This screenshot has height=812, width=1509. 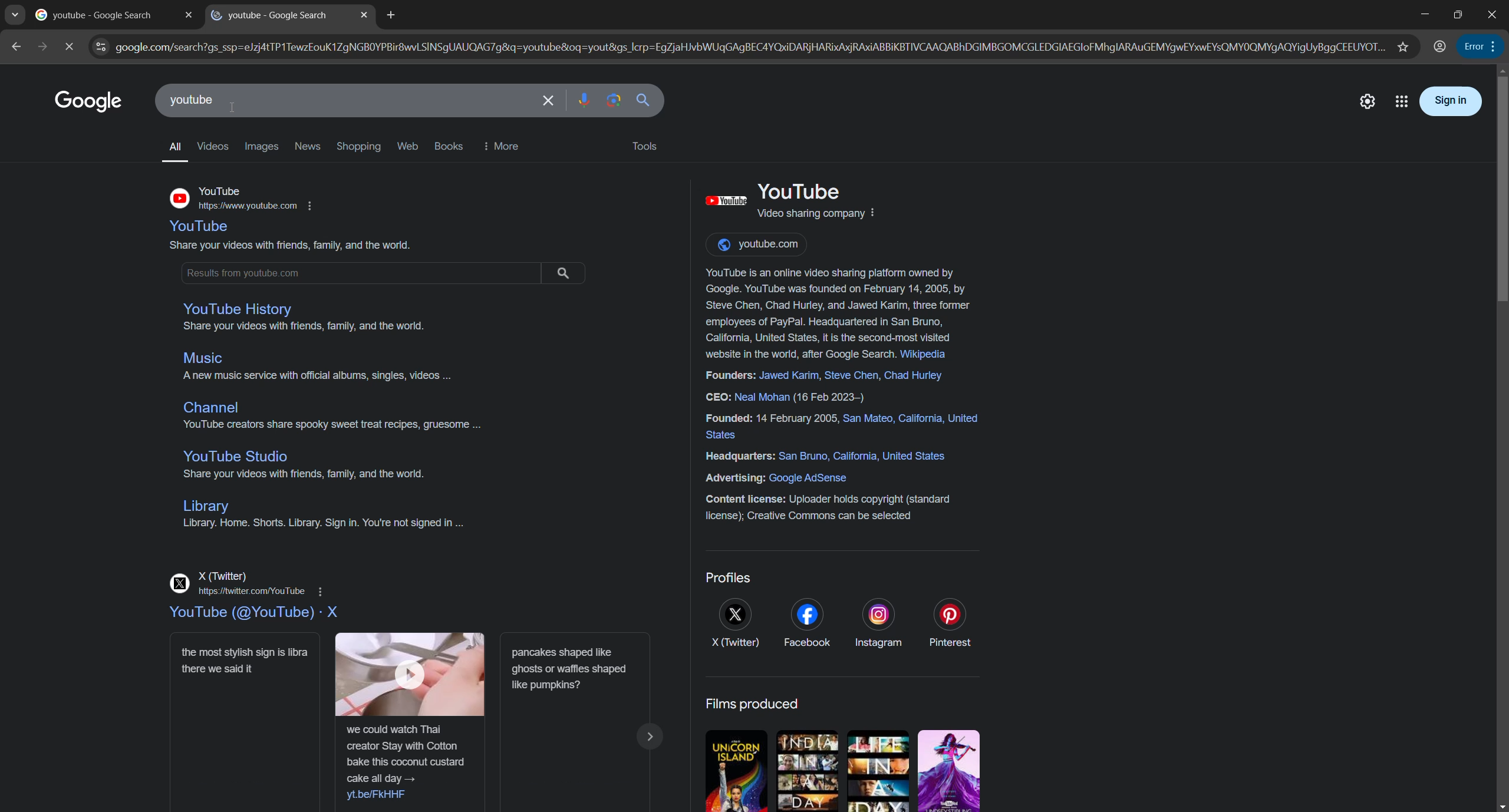 I want to click on pencakes shaped like ghosts or waffles shaped like pumpkins, so click(x=582, y=724).